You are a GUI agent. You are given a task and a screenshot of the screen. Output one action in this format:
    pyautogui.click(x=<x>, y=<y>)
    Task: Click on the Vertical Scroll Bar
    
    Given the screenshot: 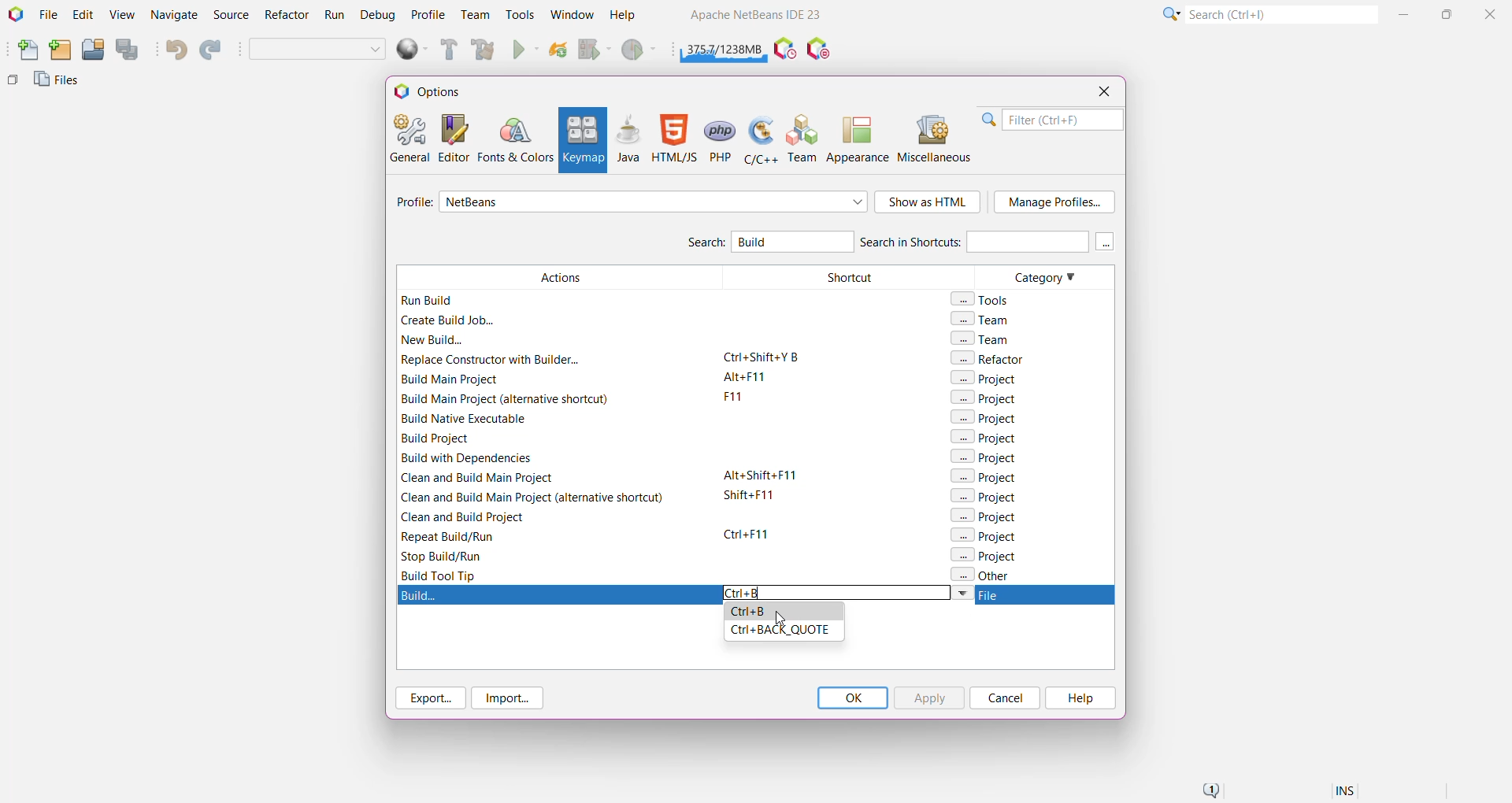 What is the action you would take?
    pyautogui.click(x=1106, y=424)
    